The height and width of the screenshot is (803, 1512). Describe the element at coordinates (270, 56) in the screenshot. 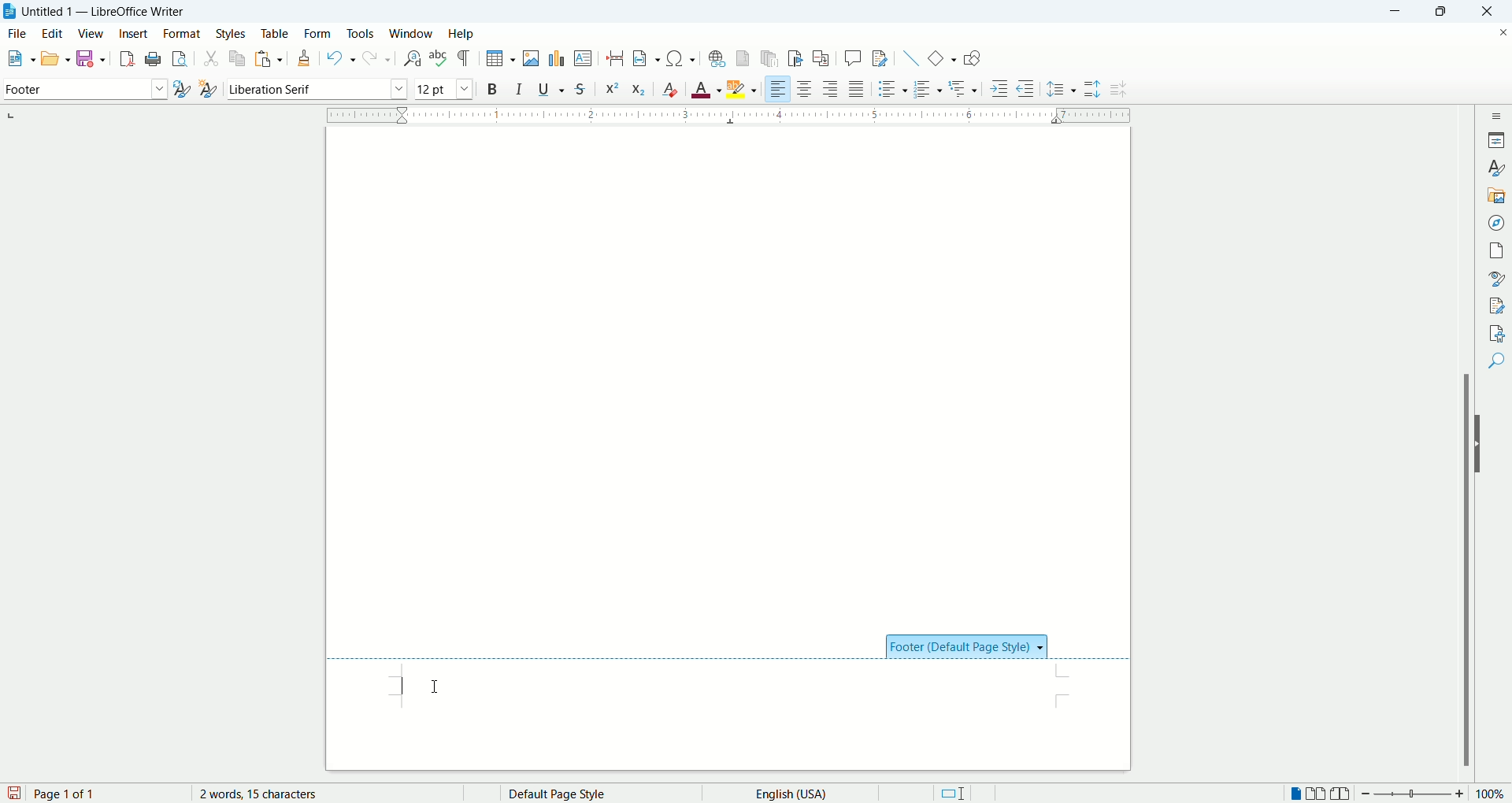

I see `paste` at that location.